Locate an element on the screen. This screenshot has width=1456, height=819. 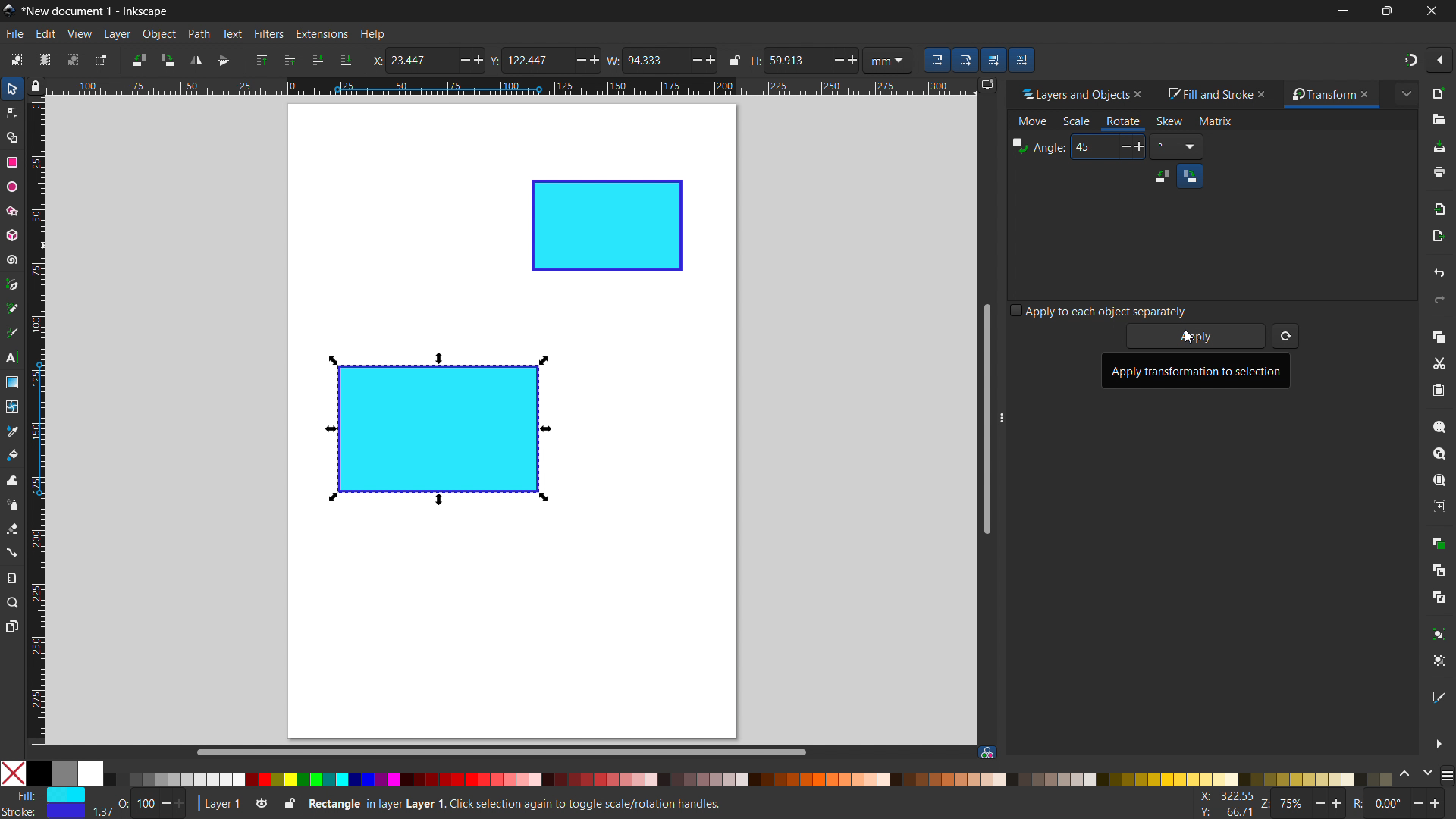
help is located at coordinates (372, 35).